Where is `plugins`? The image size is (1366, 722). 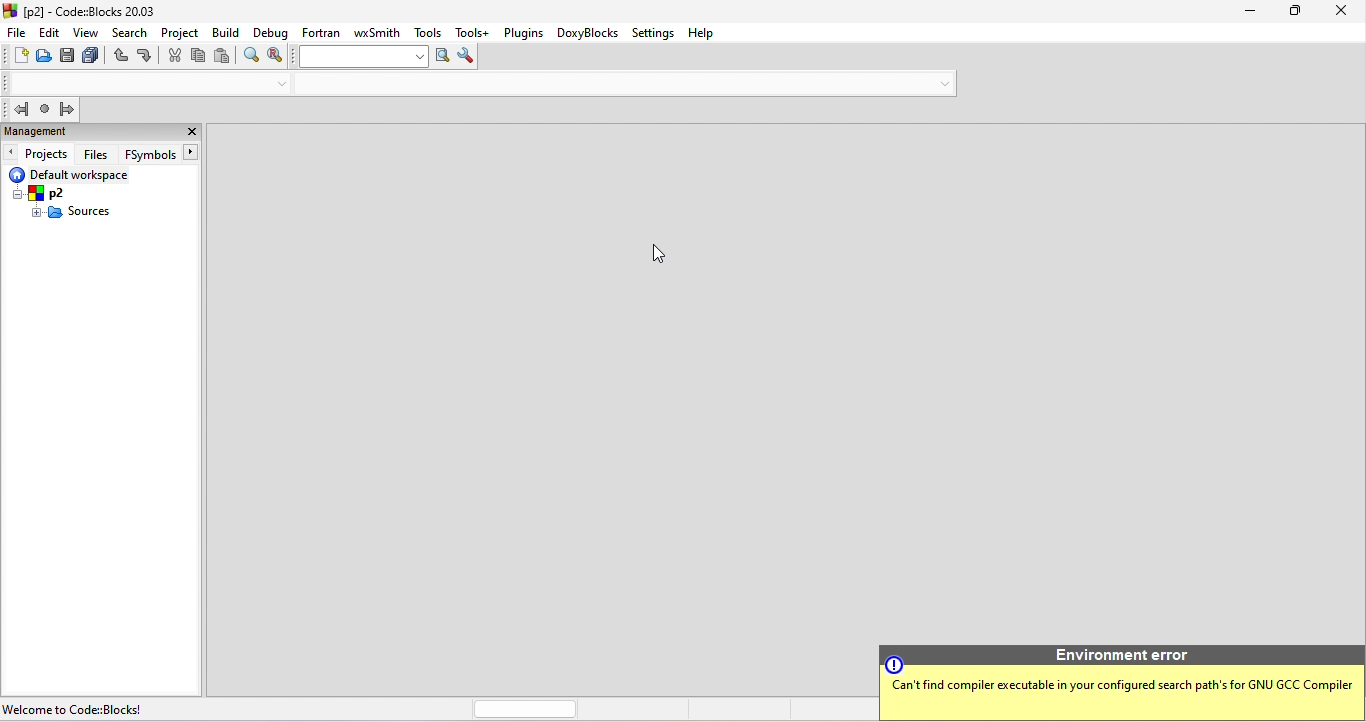 plugins is located at coordinates (524, 35).